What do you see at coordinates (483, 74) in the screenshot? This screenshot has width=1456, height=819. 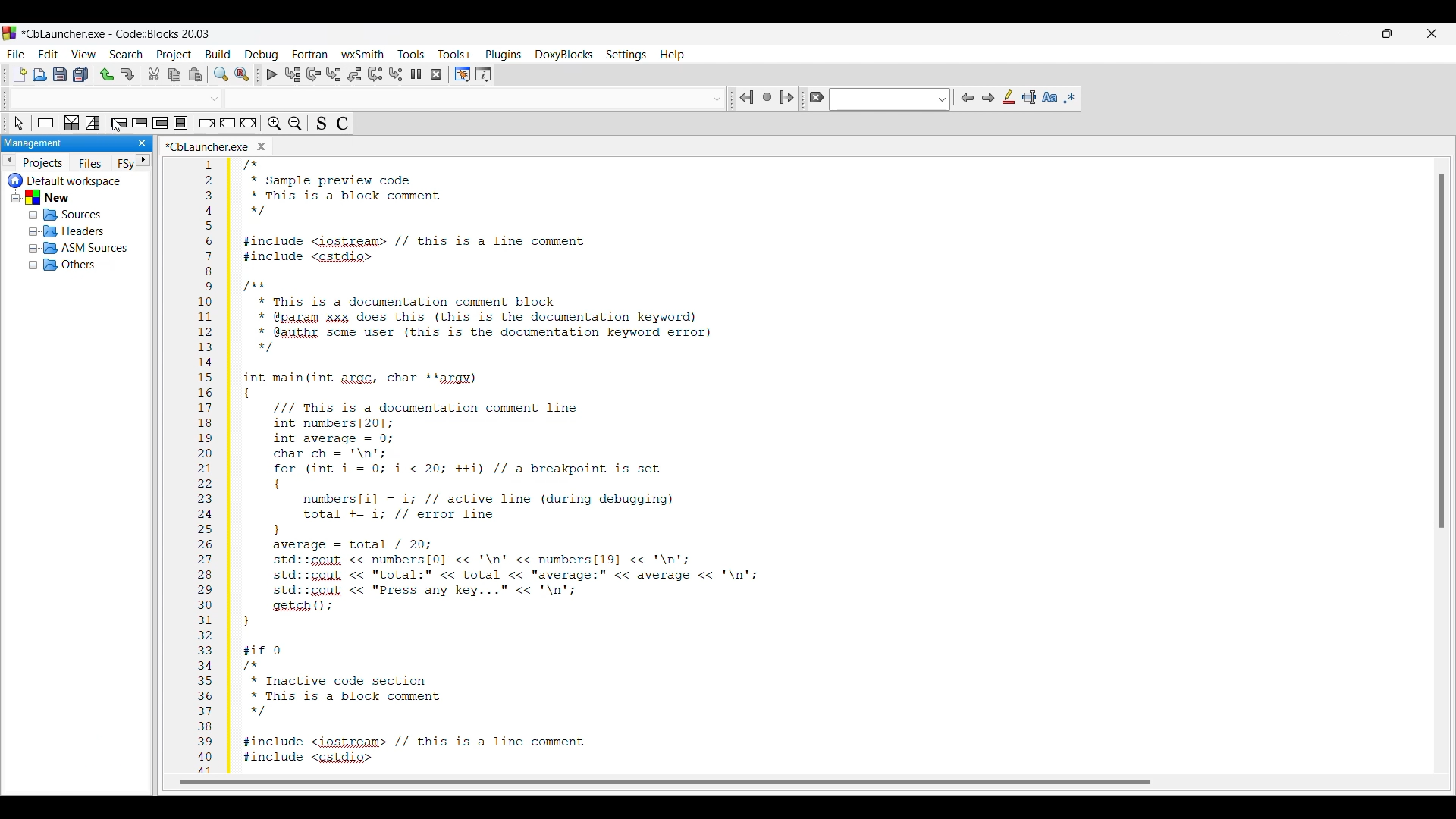 I see `Various info` at bounding box center [483, 74].